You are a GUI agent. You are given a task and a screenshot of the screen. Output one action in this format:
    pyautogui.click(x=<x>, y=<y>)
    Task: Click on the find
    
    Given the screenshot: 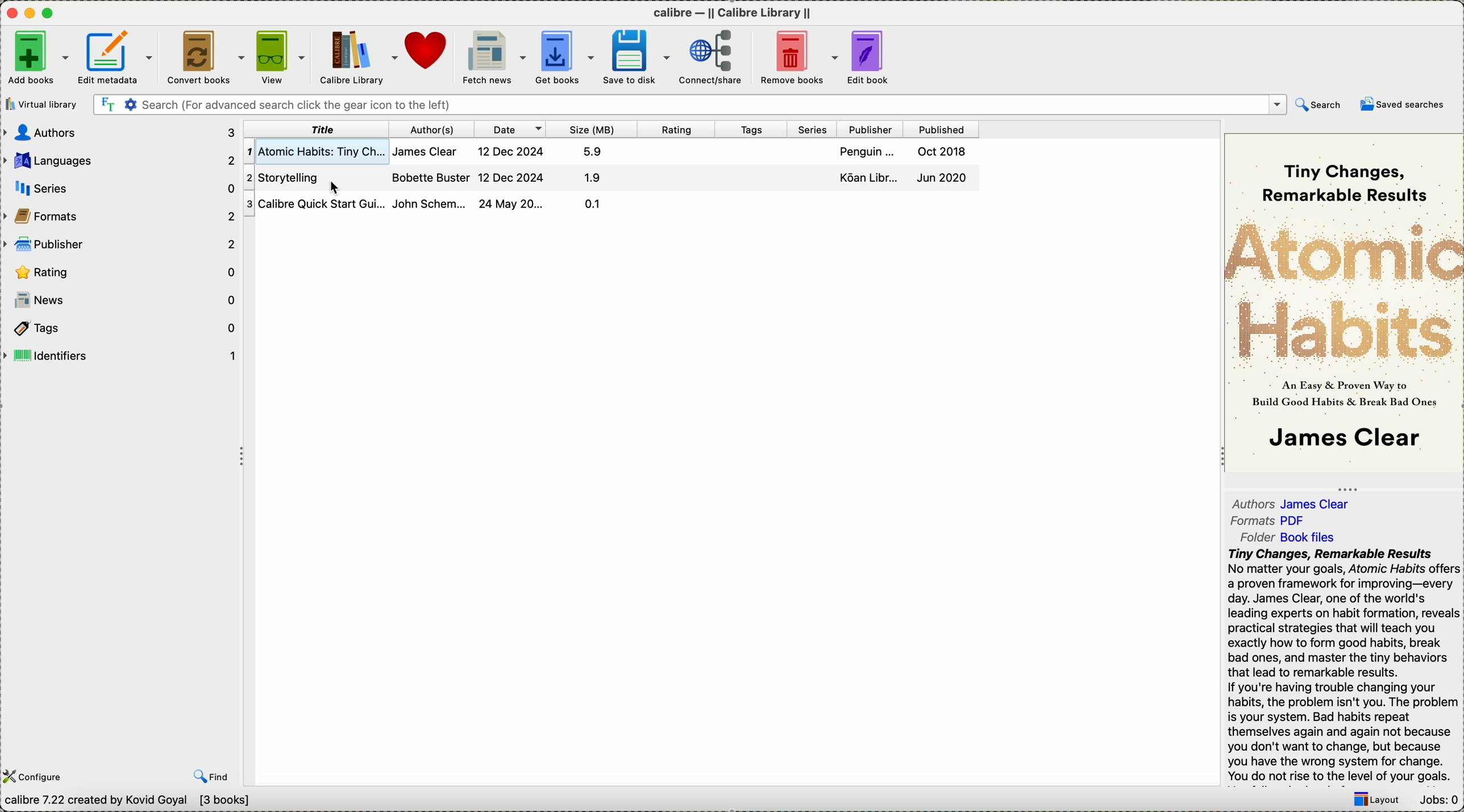 What is the action you would take?
    pyautogui.click(x=210, y=776)
    